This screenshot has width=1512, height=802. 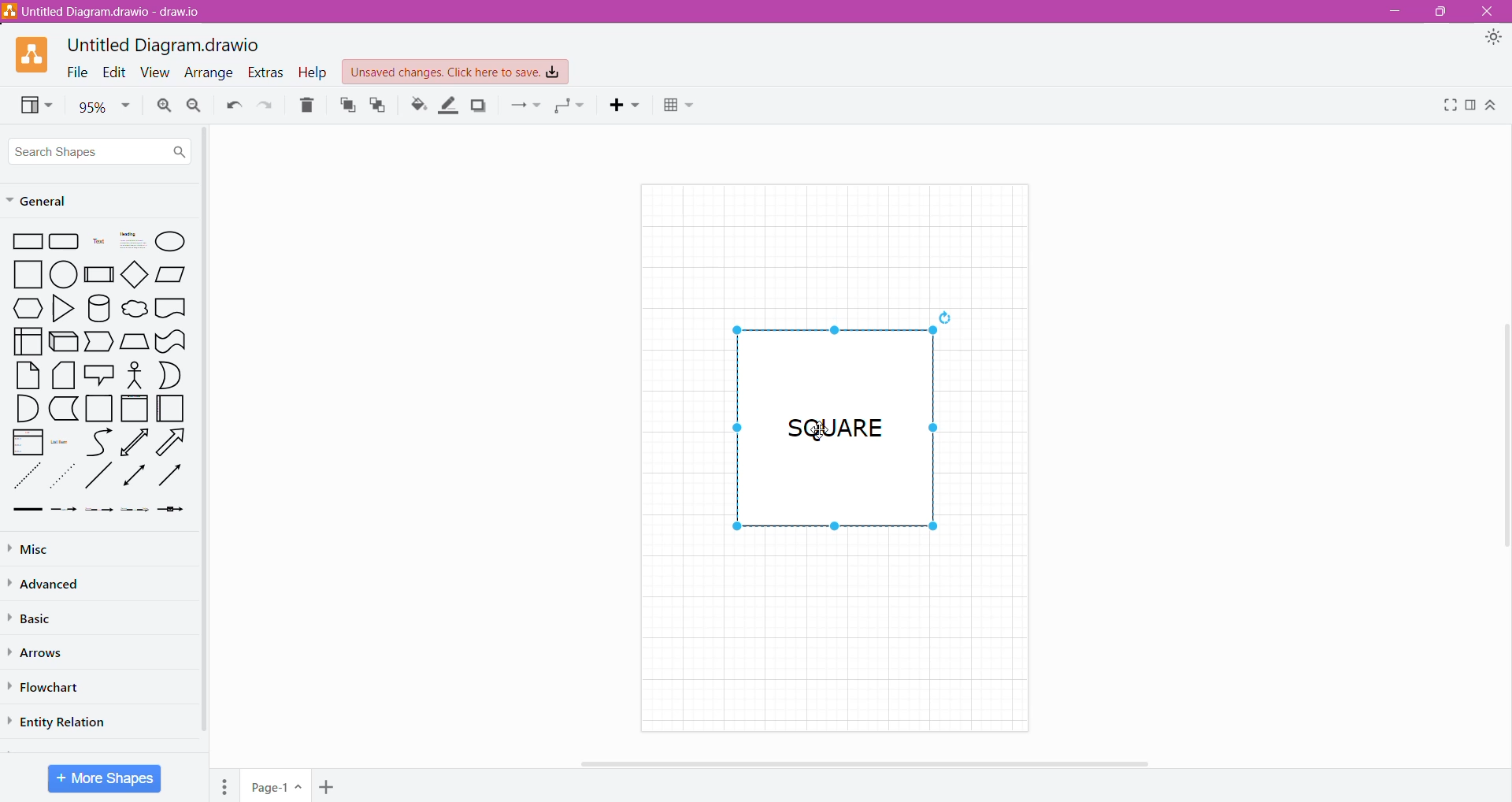 I want to click on Parallelogram, so click(x=172, y=275).